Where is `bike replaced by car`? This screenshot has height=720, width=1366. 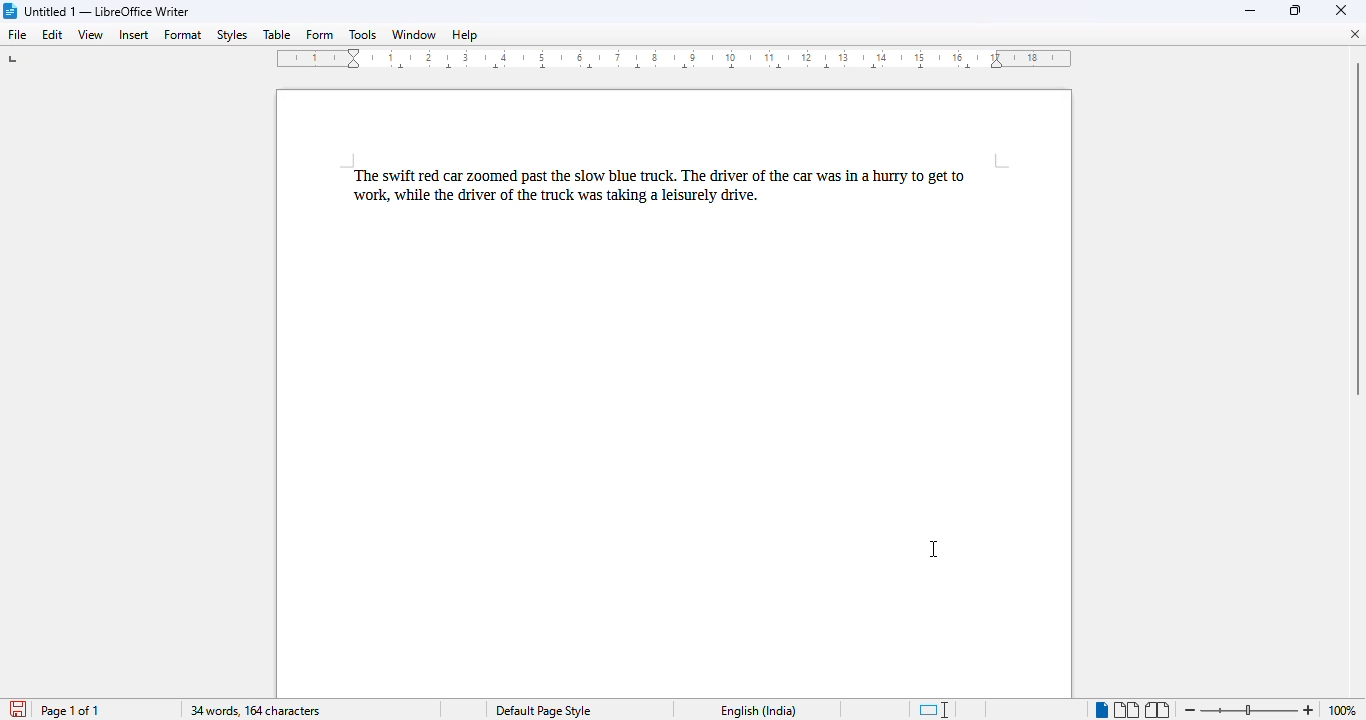 bike replaced by car is located at coordinates (453, 177).